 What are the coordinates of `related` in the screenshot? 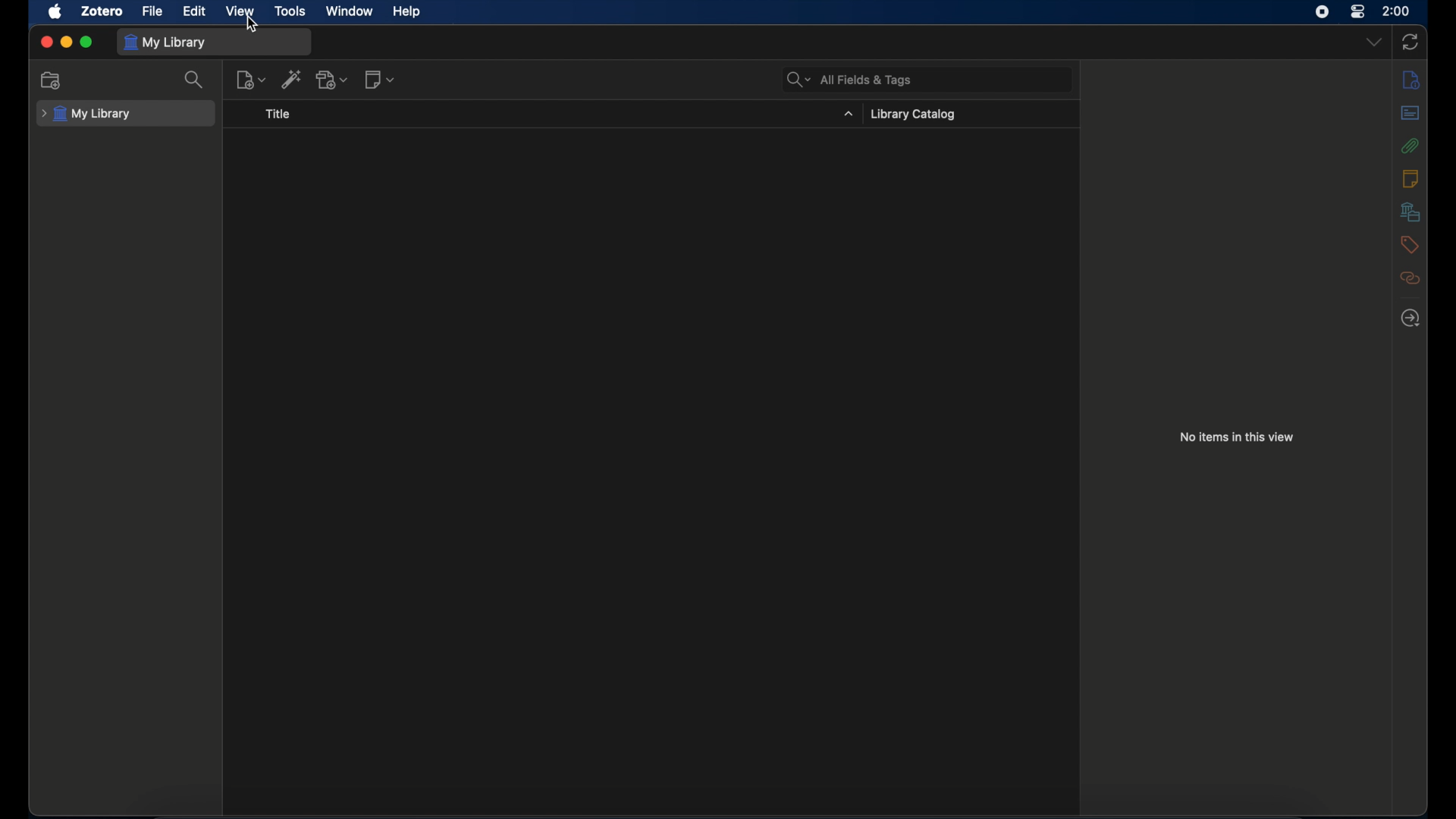 It's located at (1411, 278).